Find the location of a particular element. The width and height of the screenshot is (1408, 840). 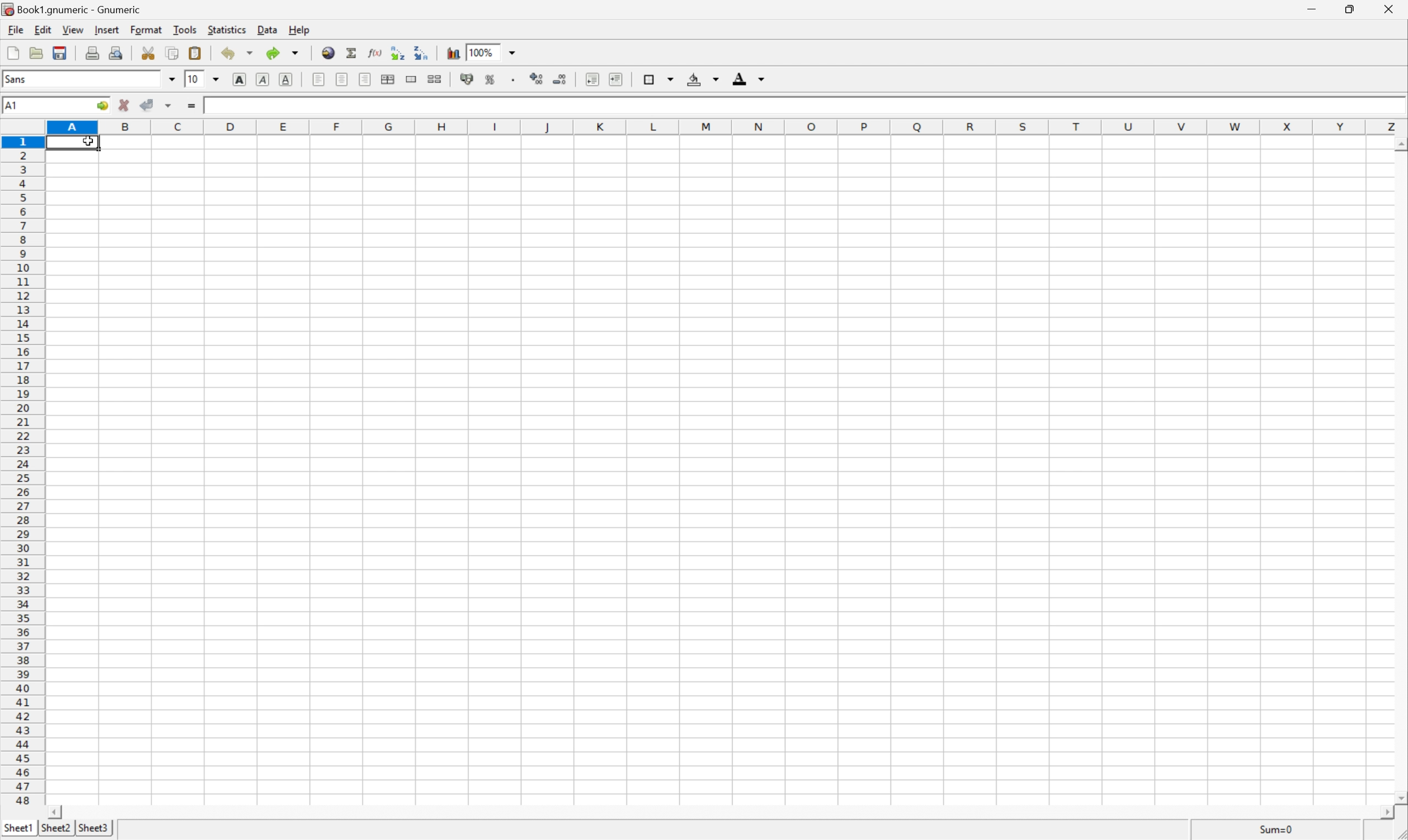

sheet3 is located at coordinates (93, 830).